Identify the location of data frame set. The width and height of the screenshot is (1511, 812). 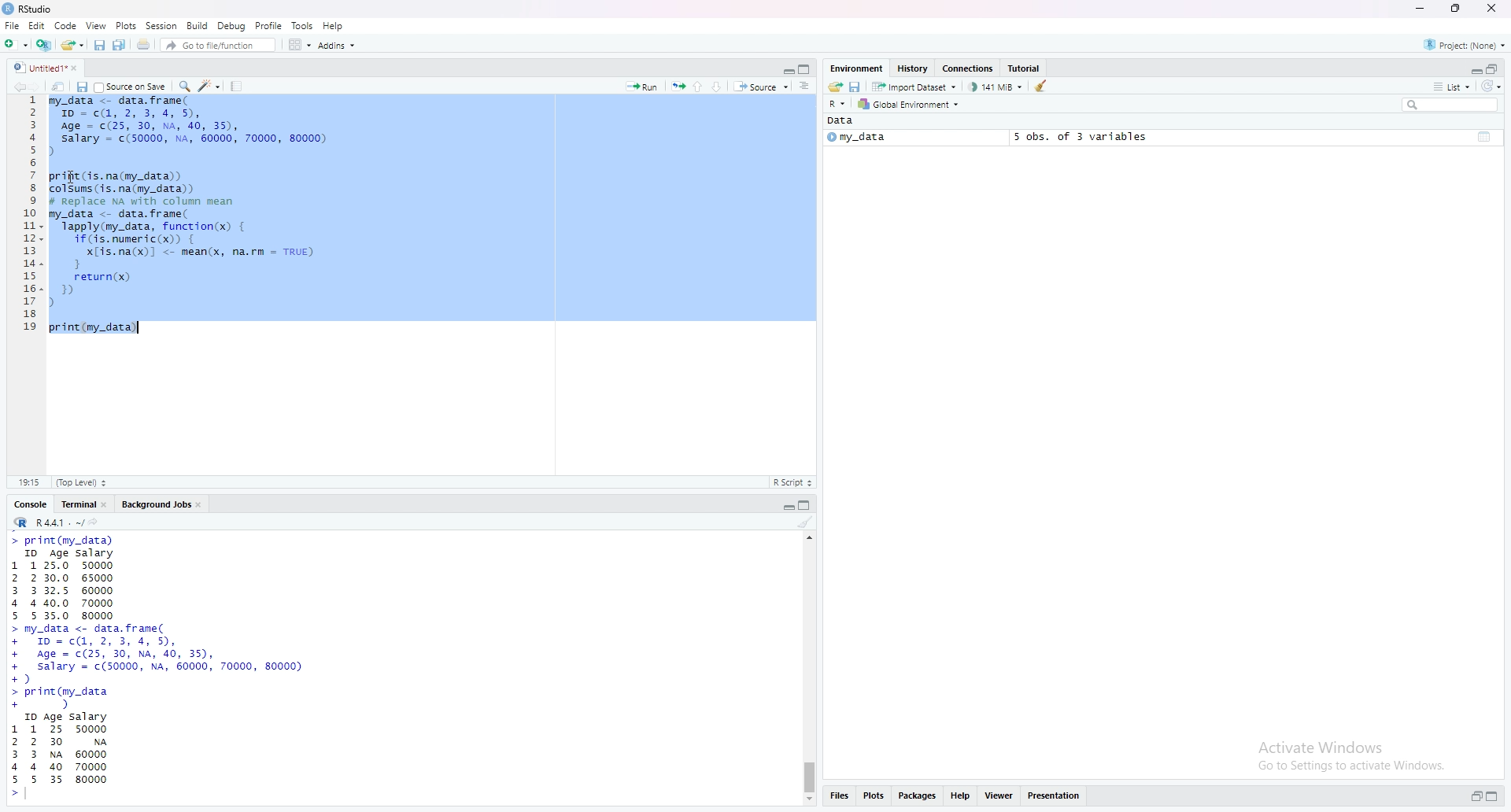
(161, 667).